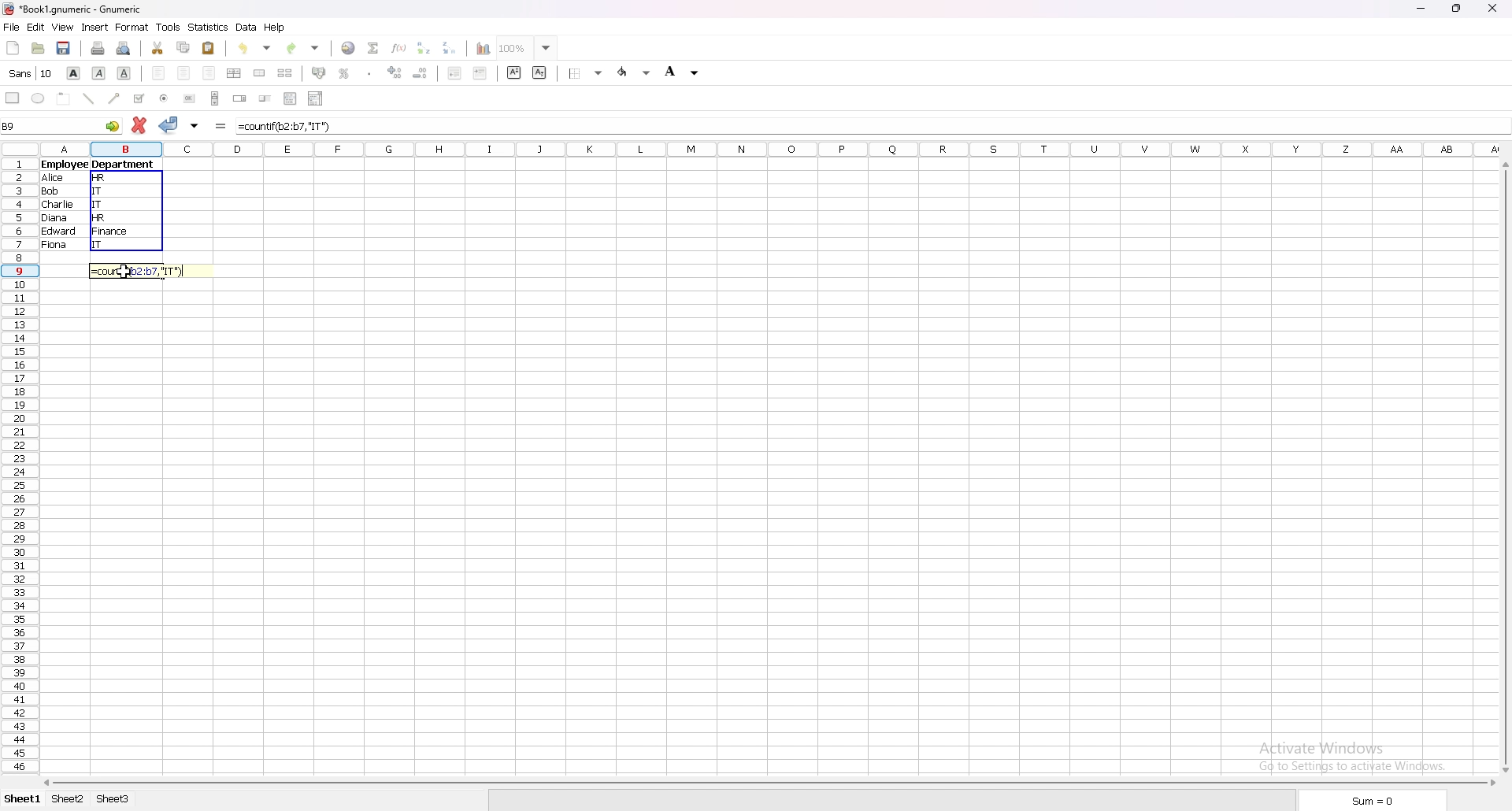 This screenshot has width=1512, height=811. I want to click on centre, so click(184, 72).